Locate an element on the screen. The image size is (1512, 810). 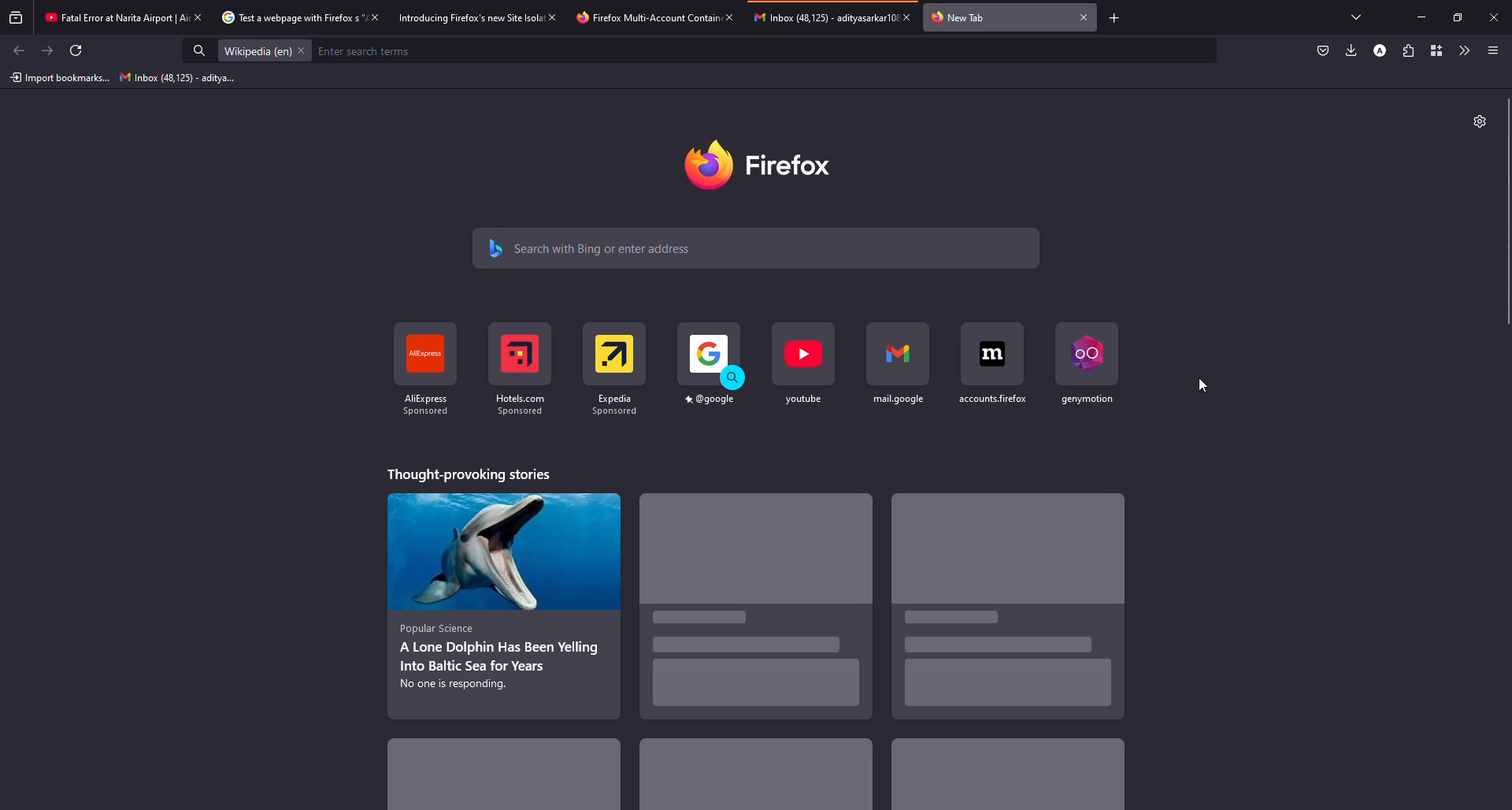
inbox (48,125) is located at coordinates (819, 17).